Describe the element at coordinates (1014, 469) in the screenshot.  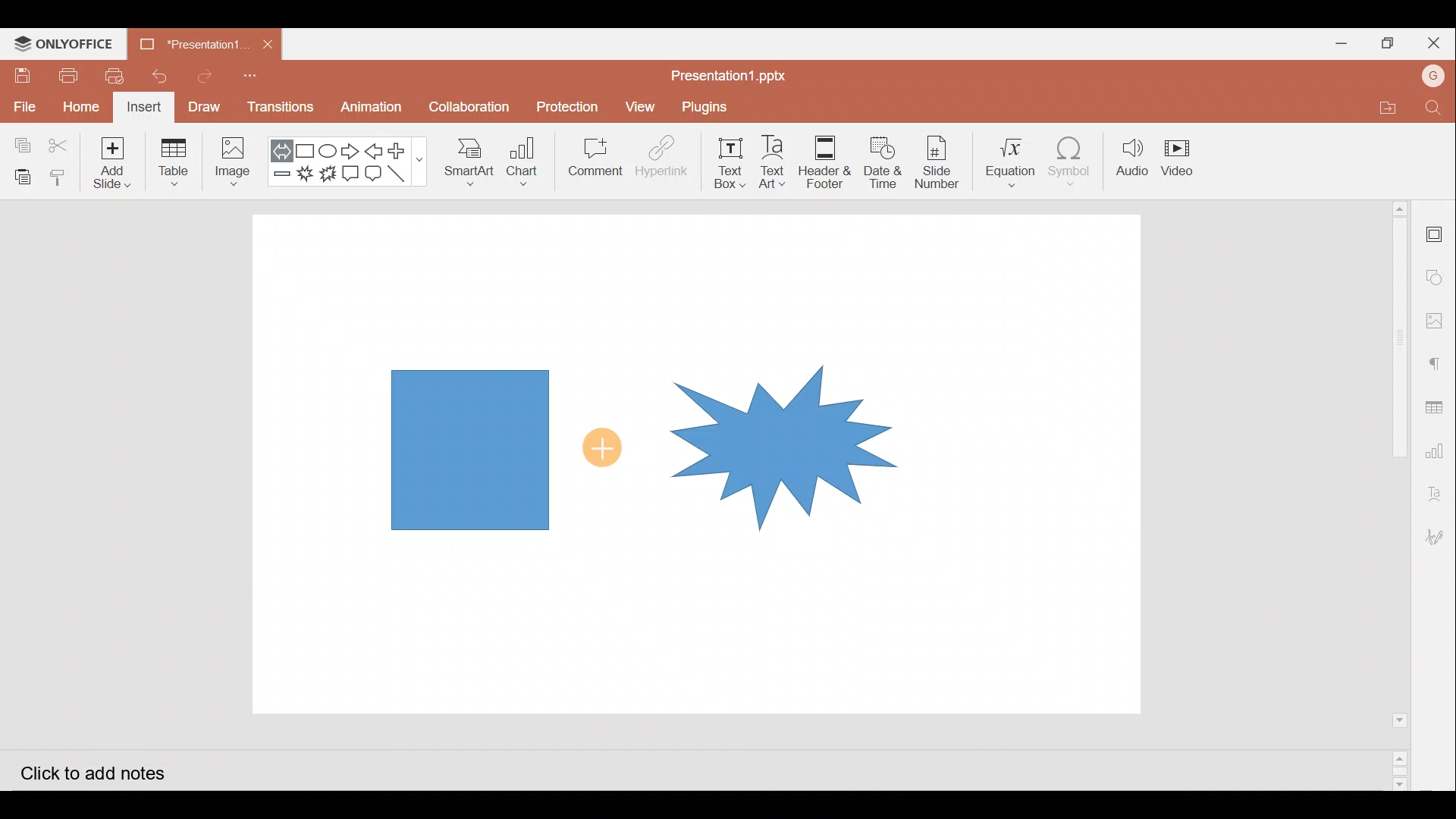
I see `Presentation slide` at that location.